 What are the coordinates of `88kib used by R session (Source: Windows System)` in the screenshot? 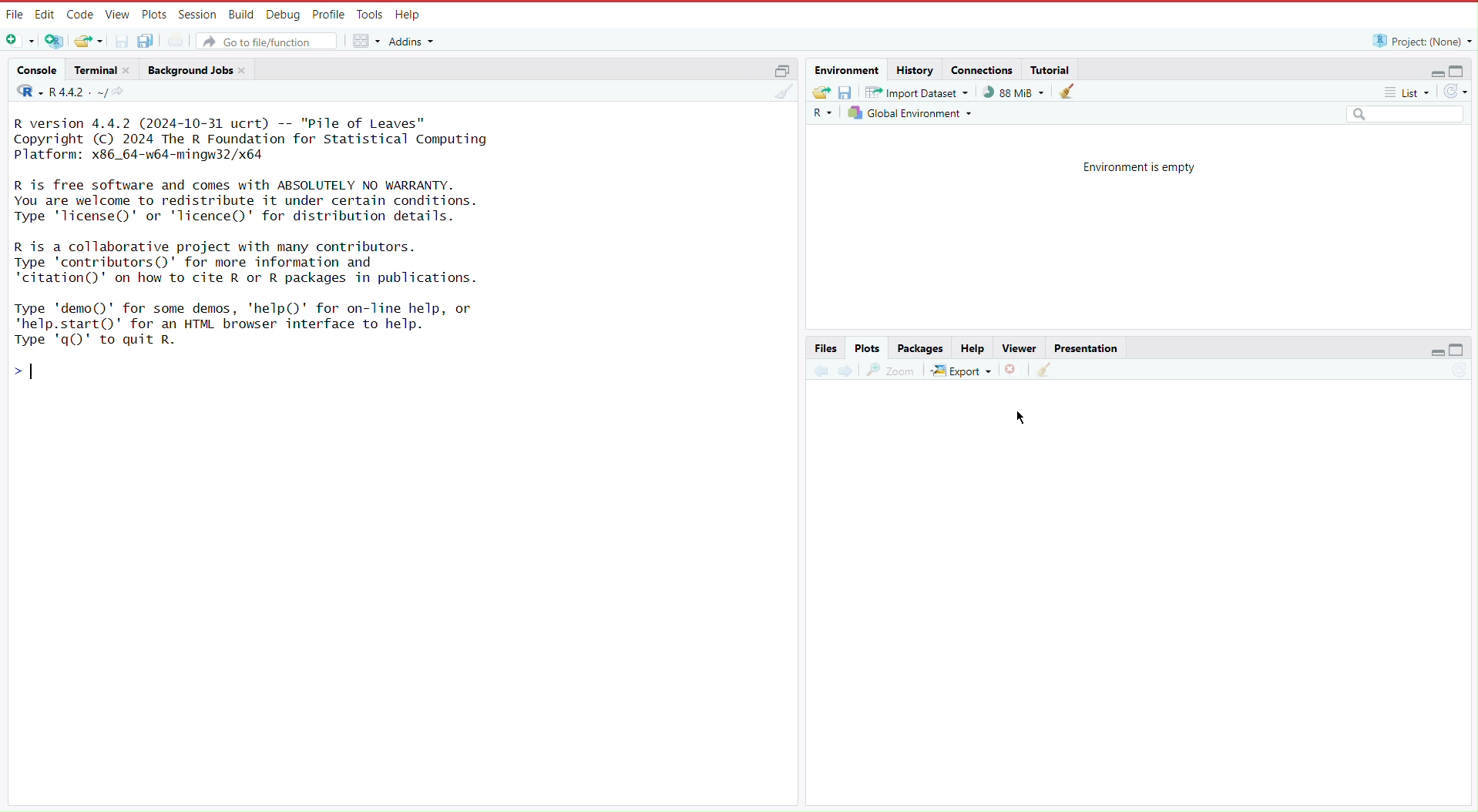 It's located at (1018, 92).